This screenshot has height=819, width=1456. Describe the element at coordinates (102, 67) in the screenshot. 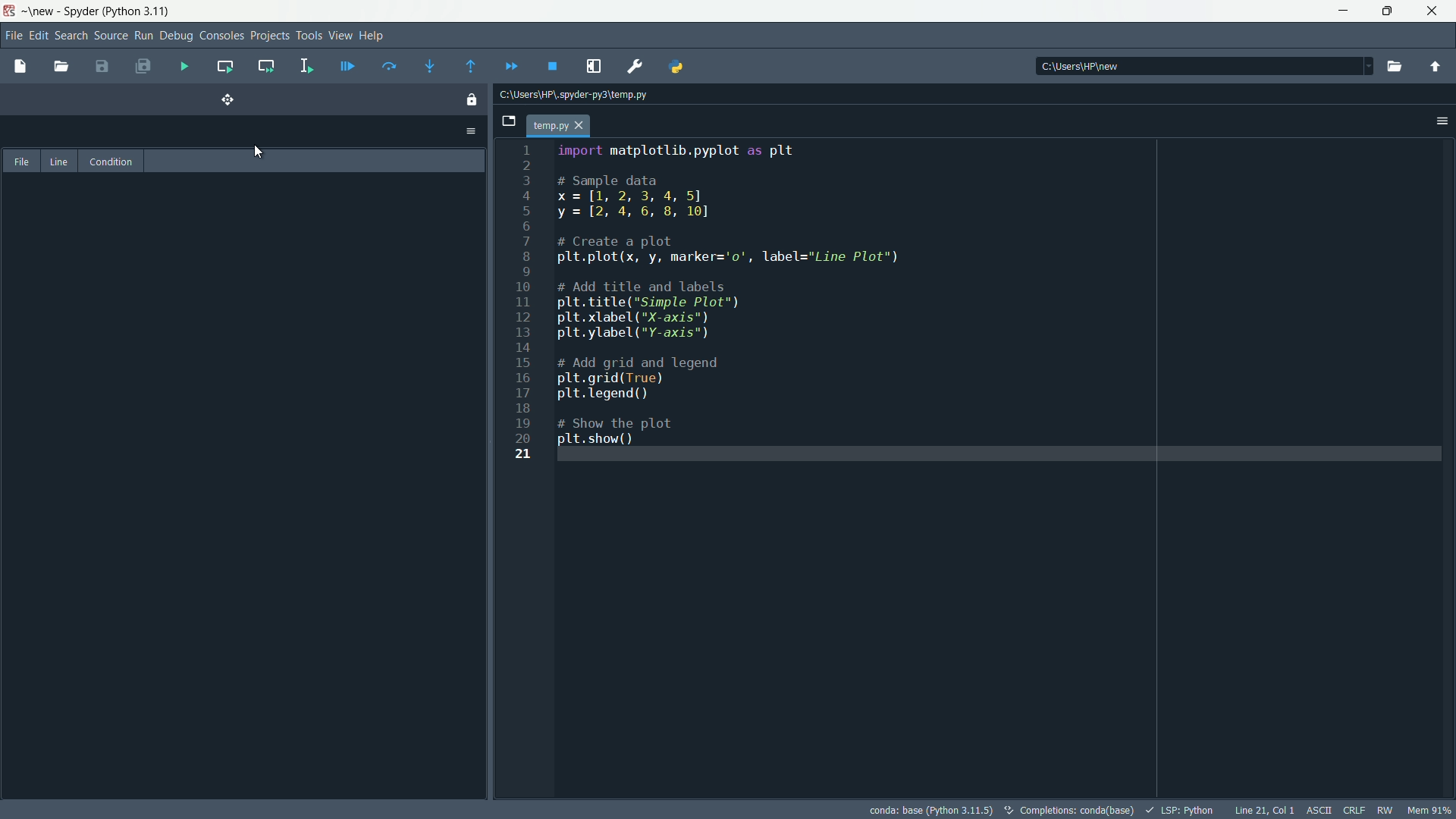

I see `save file` at that location.